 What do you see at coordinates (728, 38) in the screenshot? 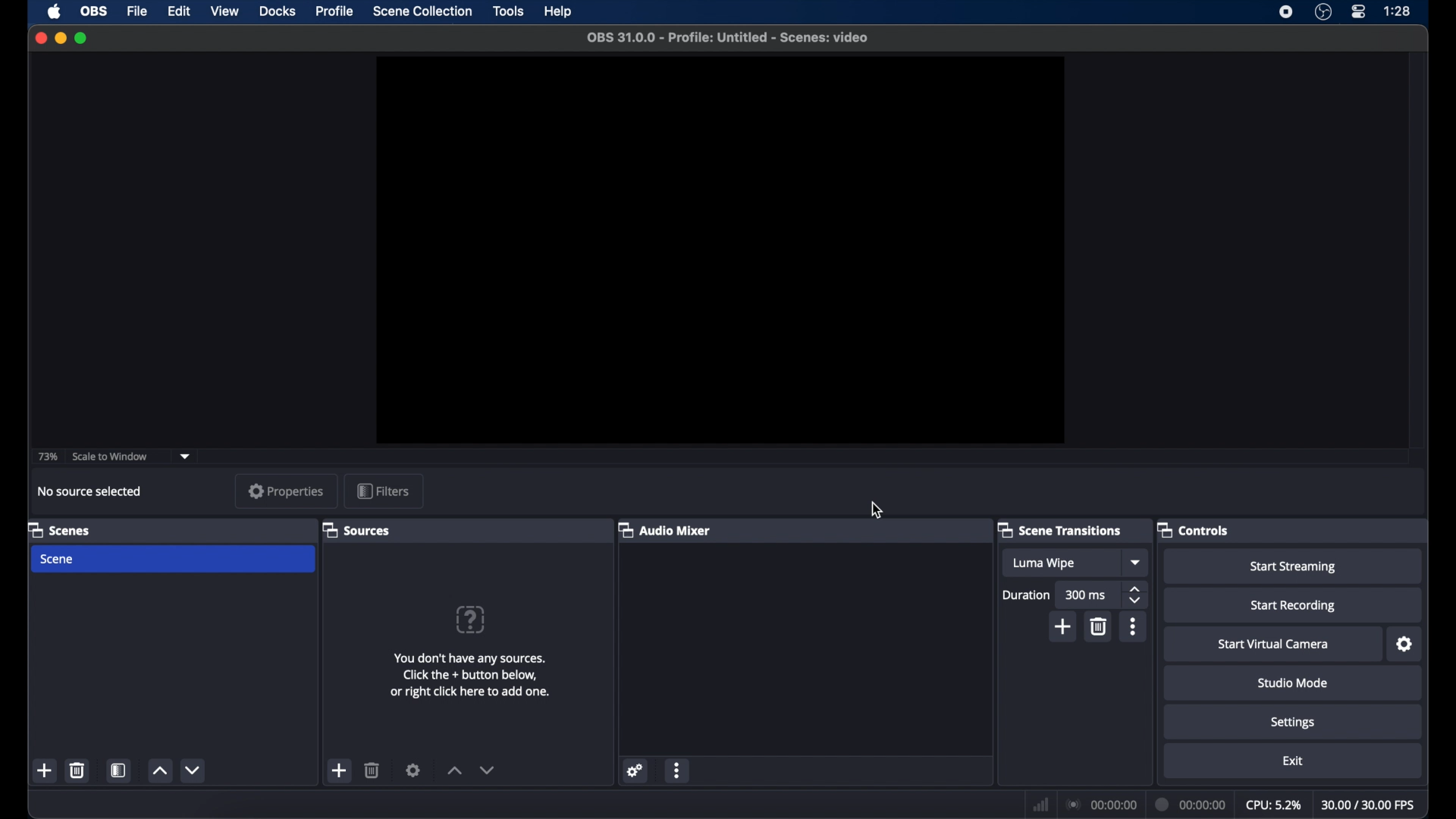
I see `file name` at bounding box center [728, 38].